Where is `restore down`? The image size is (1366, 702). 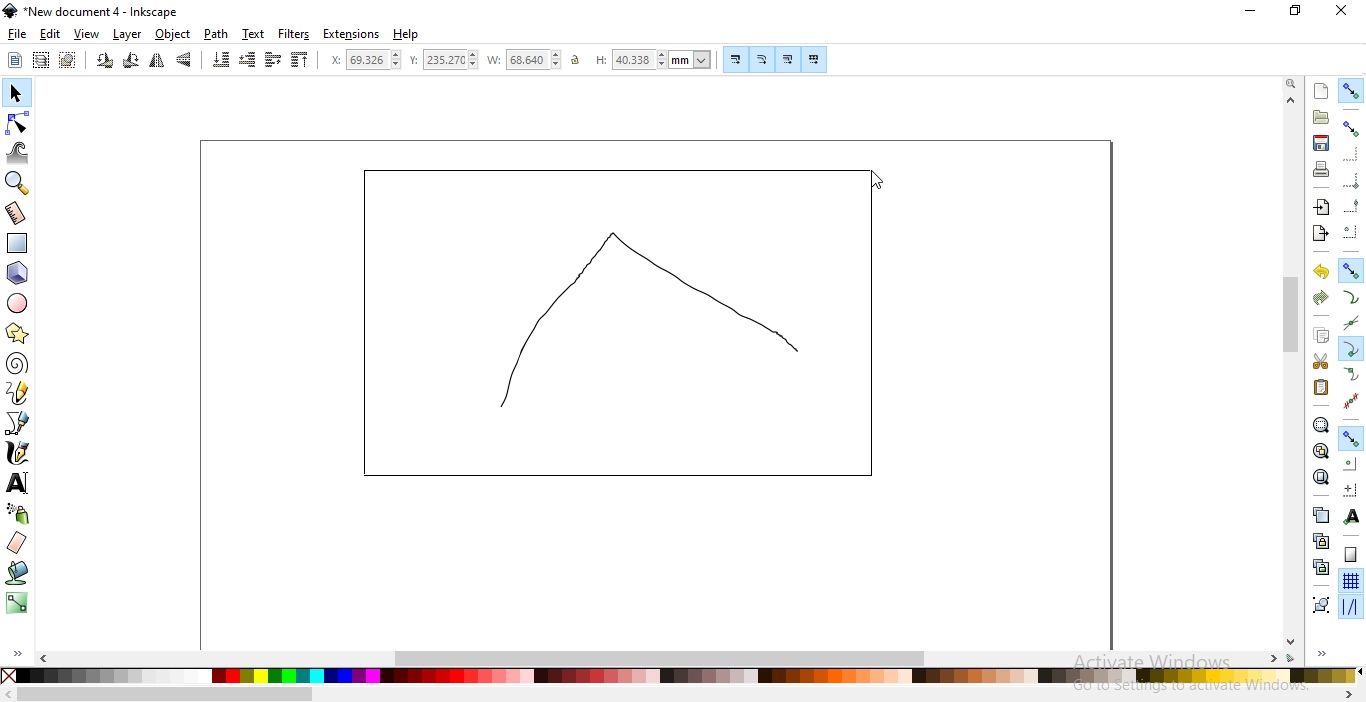 restore down is located at coordinates (1296, 11).